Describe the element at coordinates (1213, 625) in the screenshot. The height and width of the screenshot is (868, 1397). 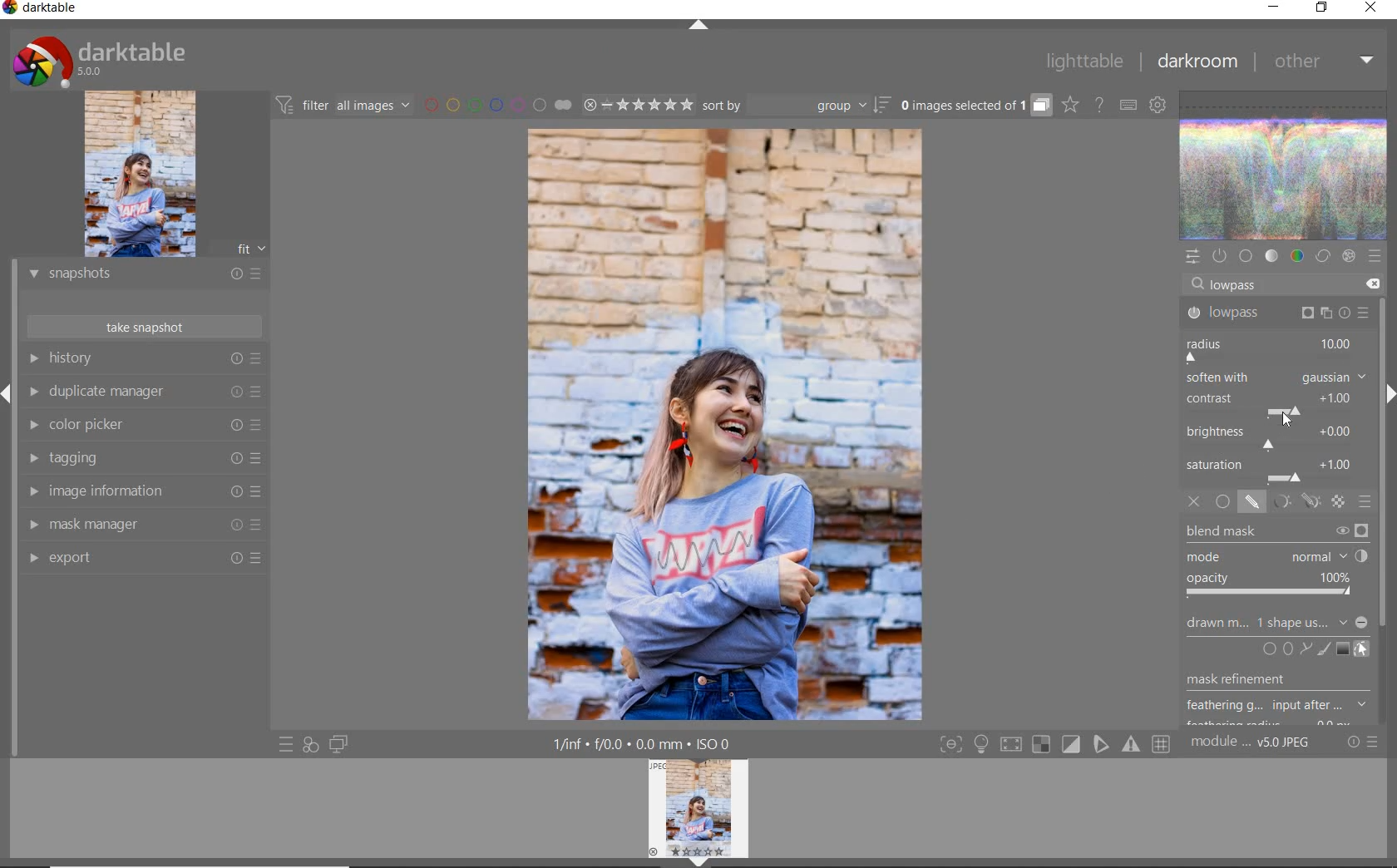
I see `drawn` at that location.